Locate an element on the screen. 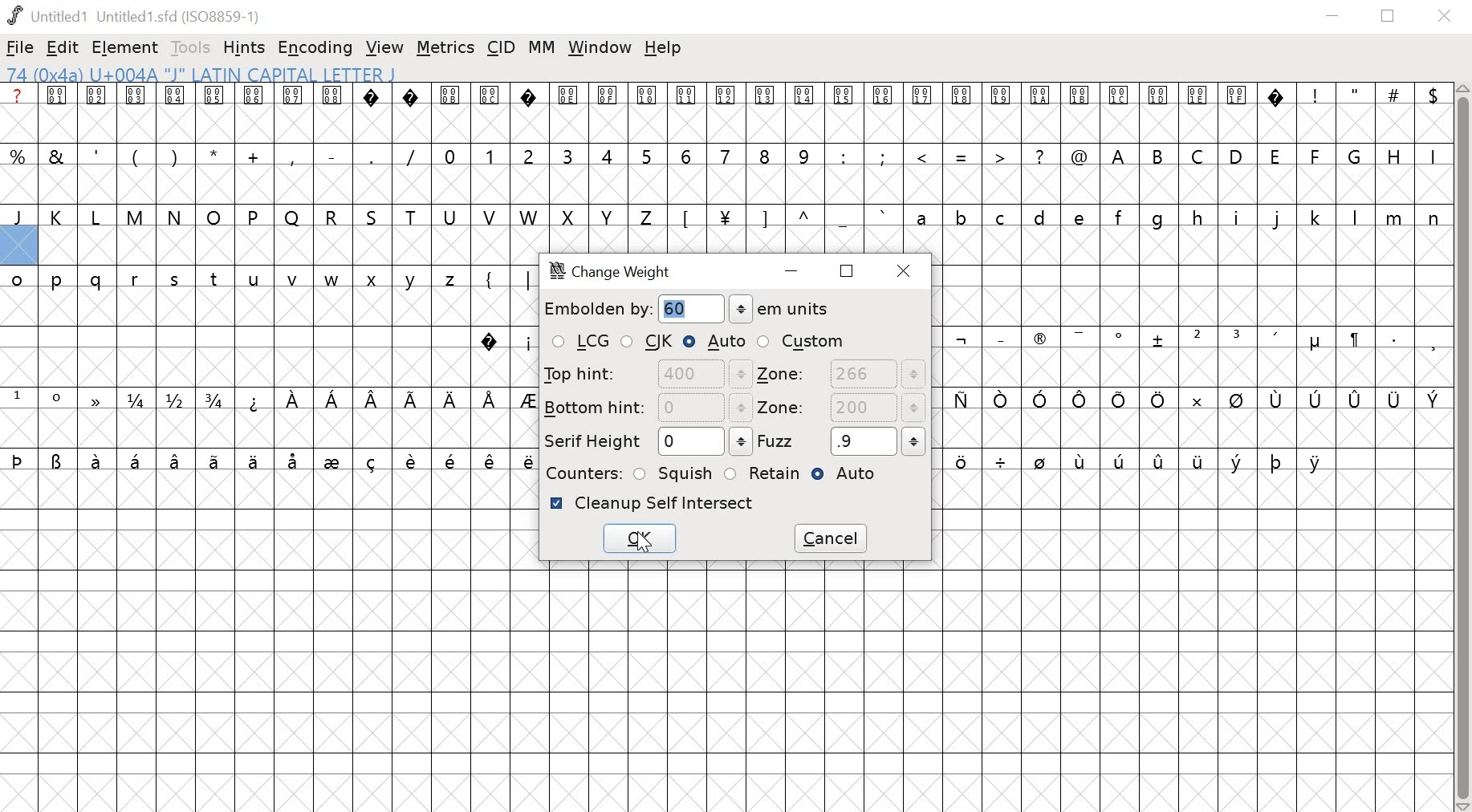 This screenshot has height=812, width=1472. uppercase letters is located at coordinates (328, 217).